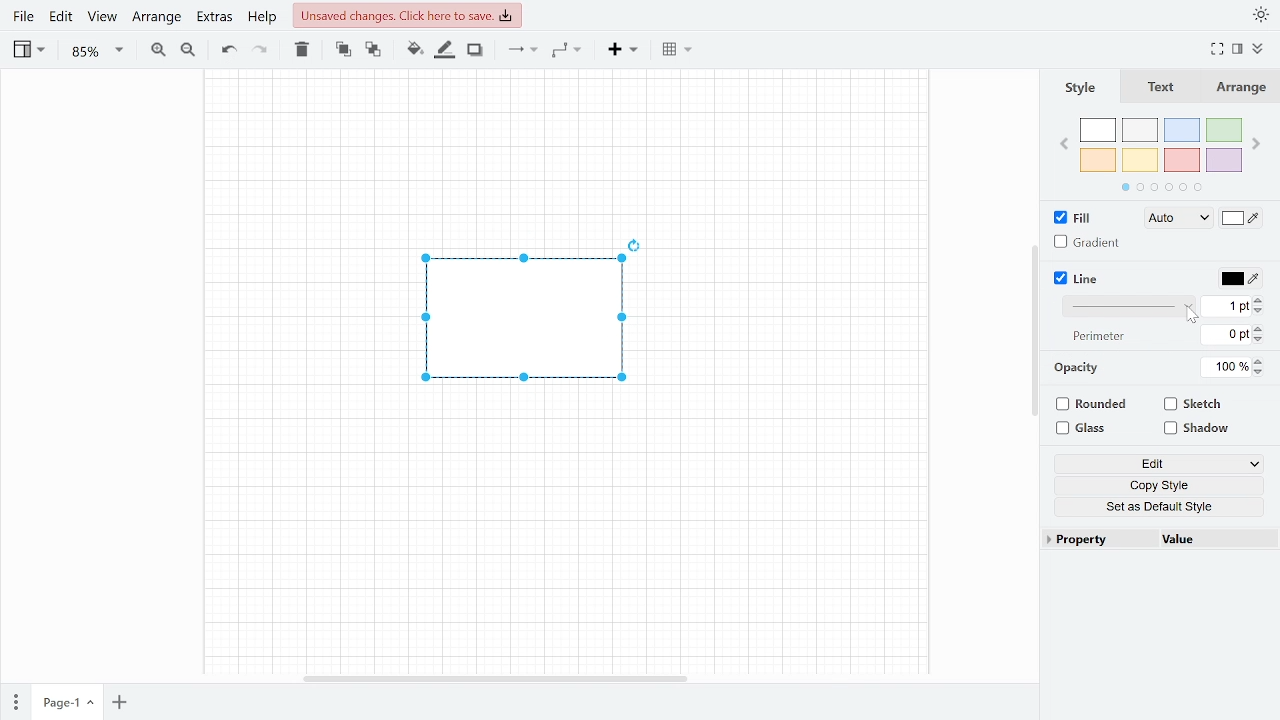 The width and height of the screenshot is (1280, 720). Describe the element at coordinates (62, 20) in the screenshot. I see `Edit` at that location.